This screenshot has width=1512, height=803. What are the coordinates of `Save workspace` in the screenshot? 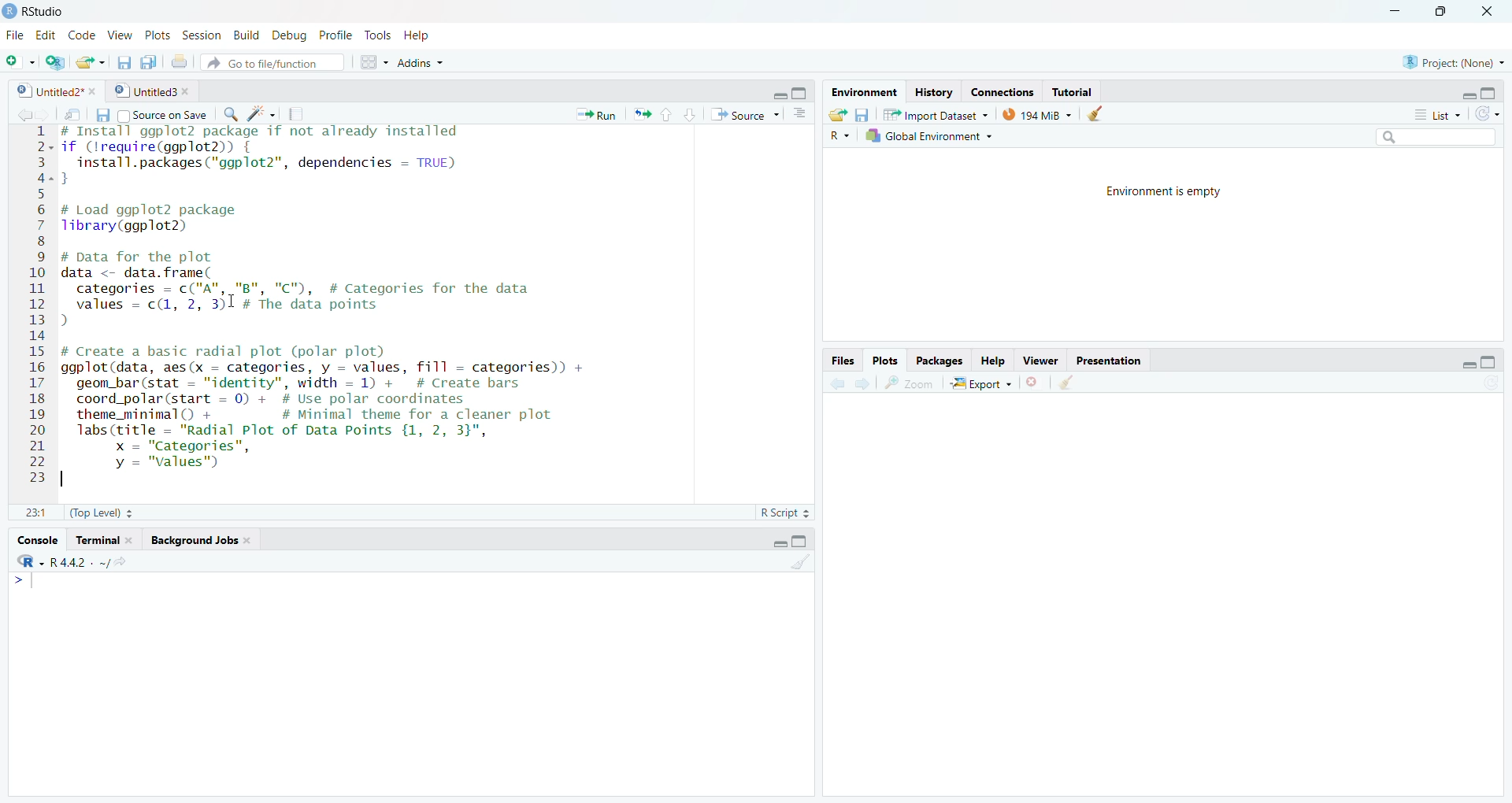 It's located at (866, 113).